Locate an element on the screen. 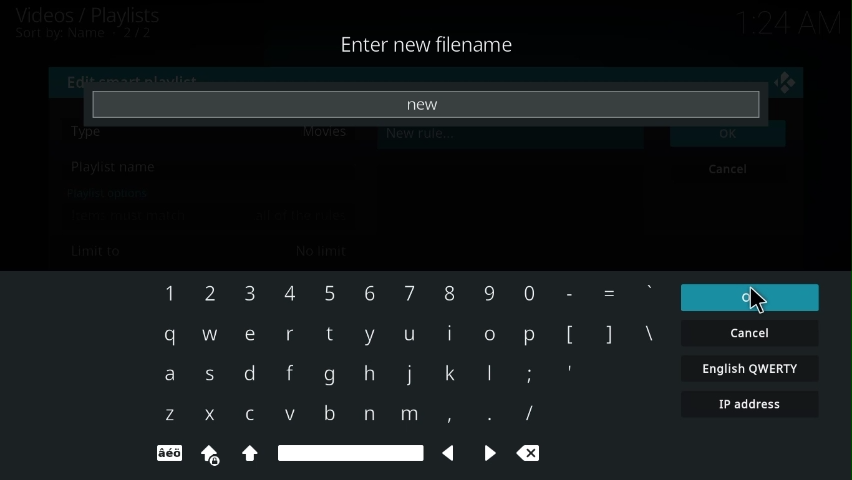  \ is located at coordinates (649, 333).